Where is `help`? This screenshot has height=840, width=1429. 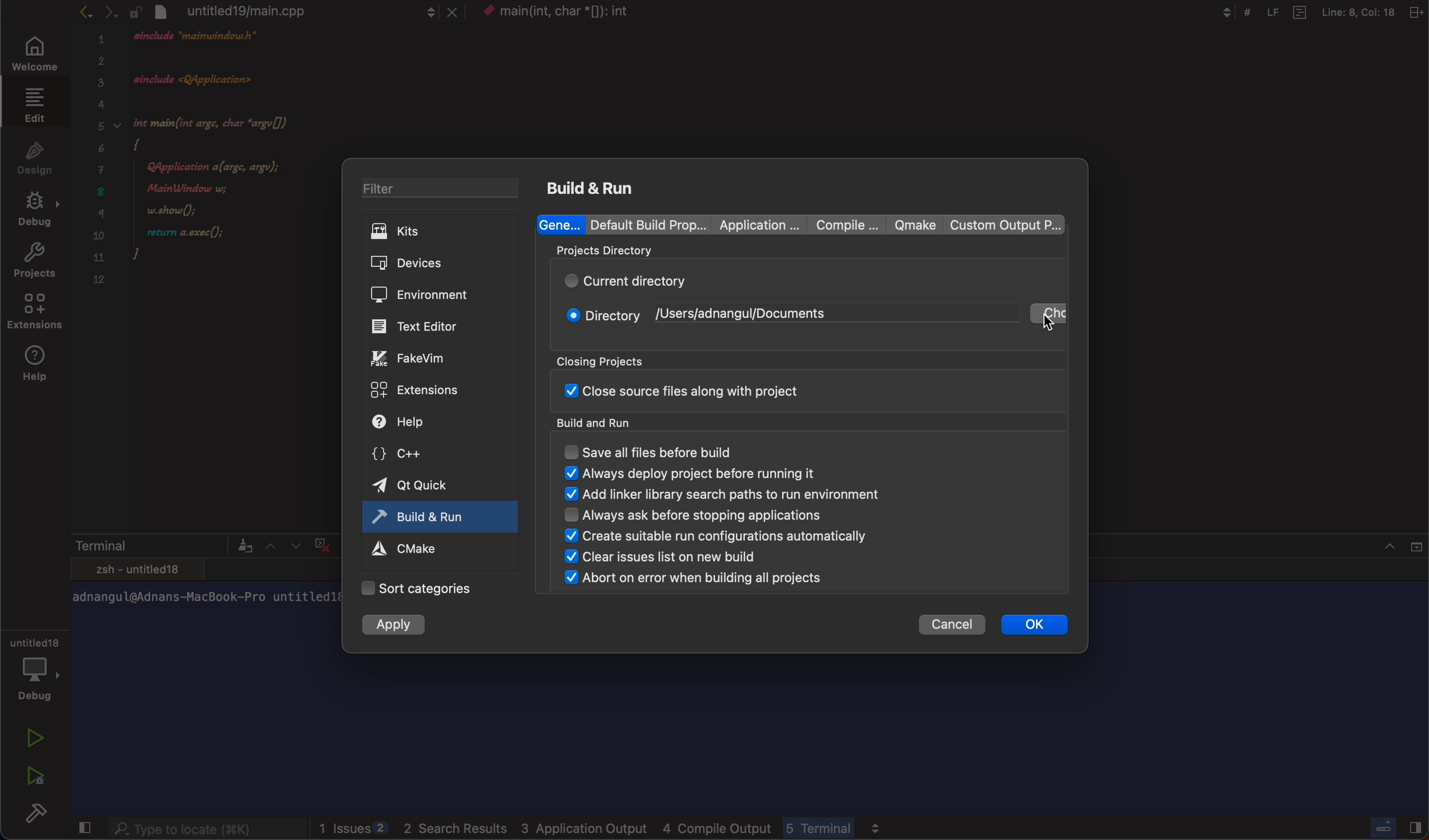
help is located at coordinates (409, 422).